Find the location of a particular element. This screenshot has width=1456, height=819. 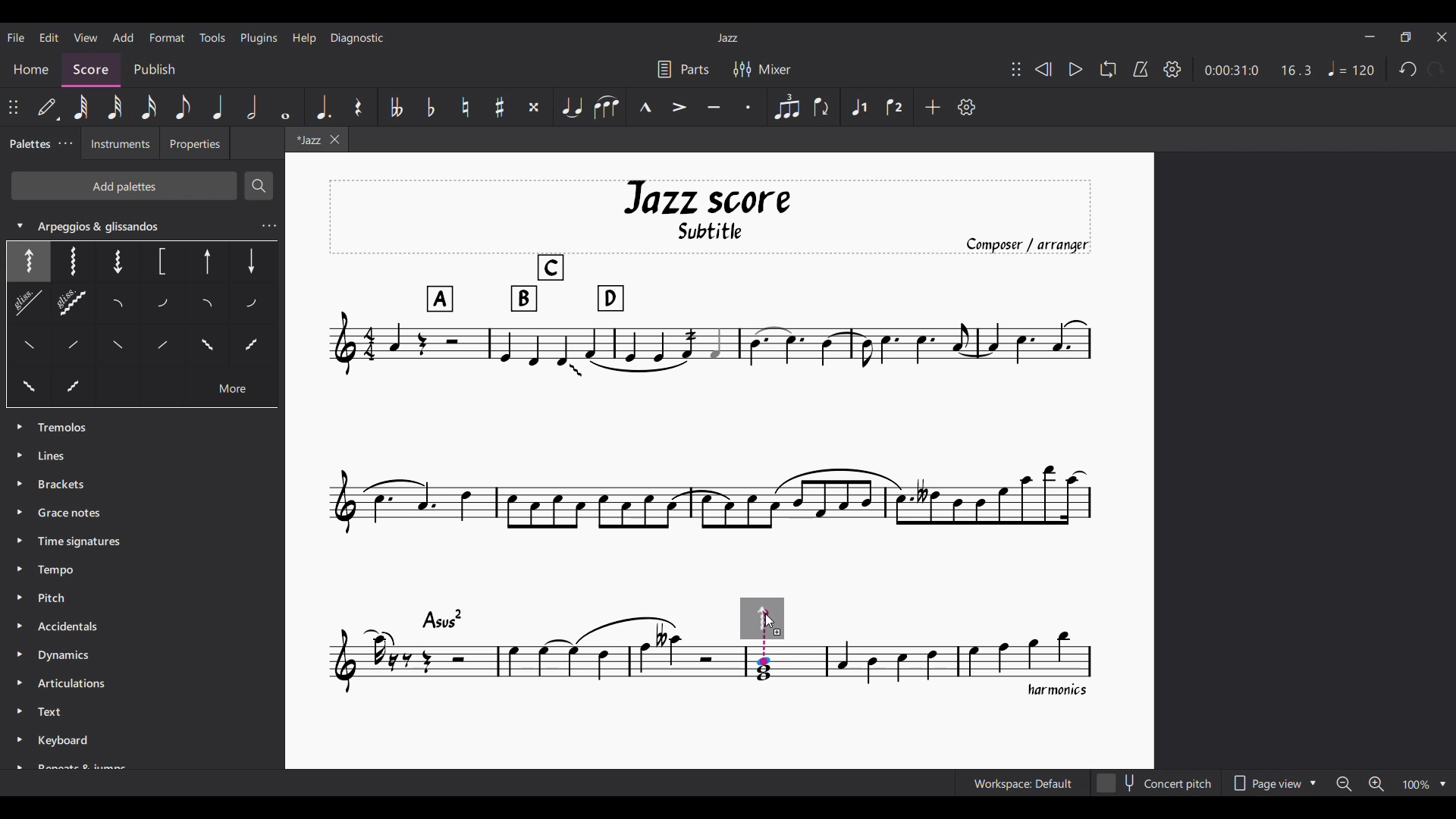

Indicates addition is located at coordinates (777, 632).